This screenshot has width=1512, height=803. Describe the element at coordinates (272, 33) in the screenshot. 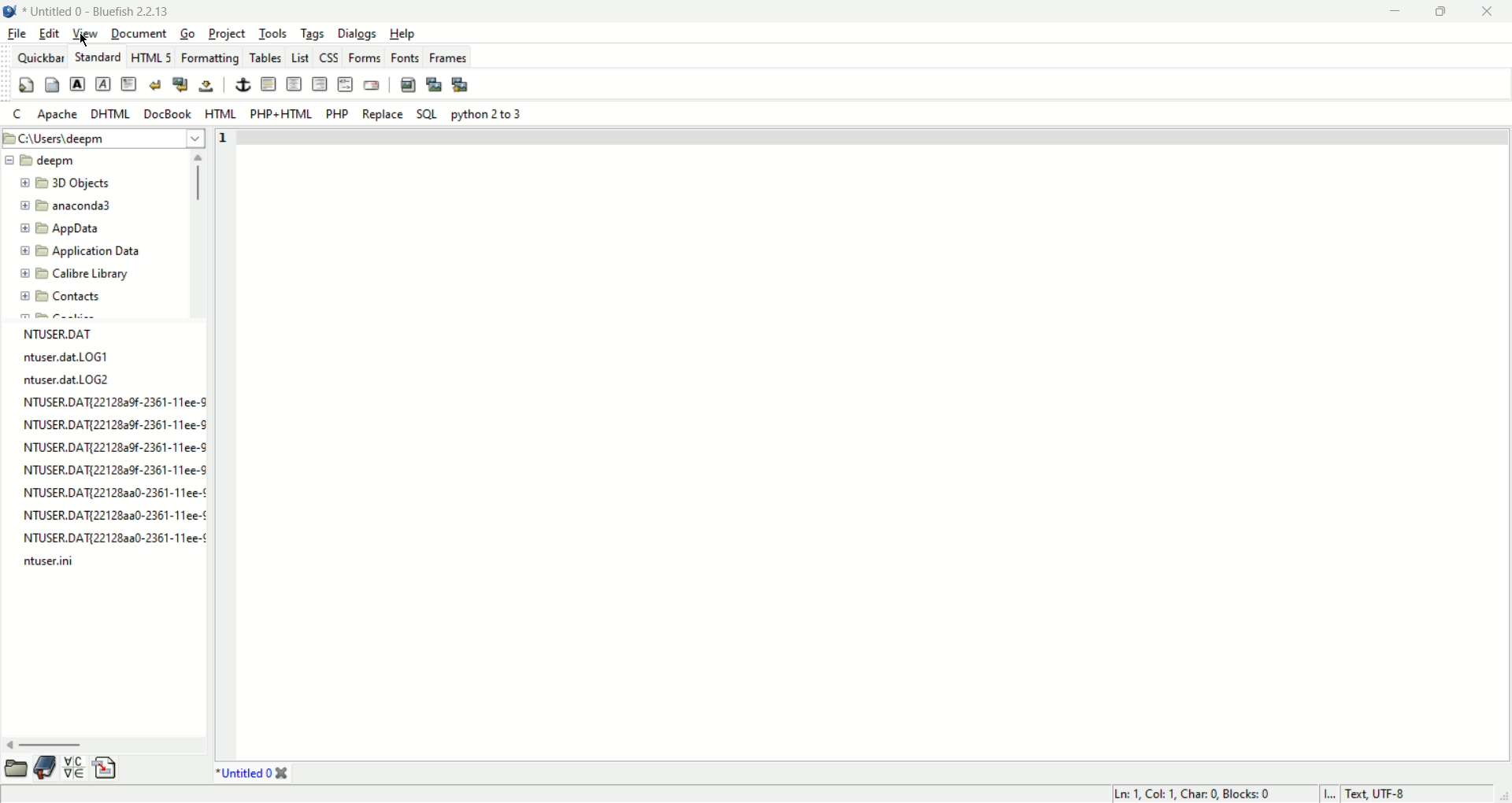

I see `tools` at that location.